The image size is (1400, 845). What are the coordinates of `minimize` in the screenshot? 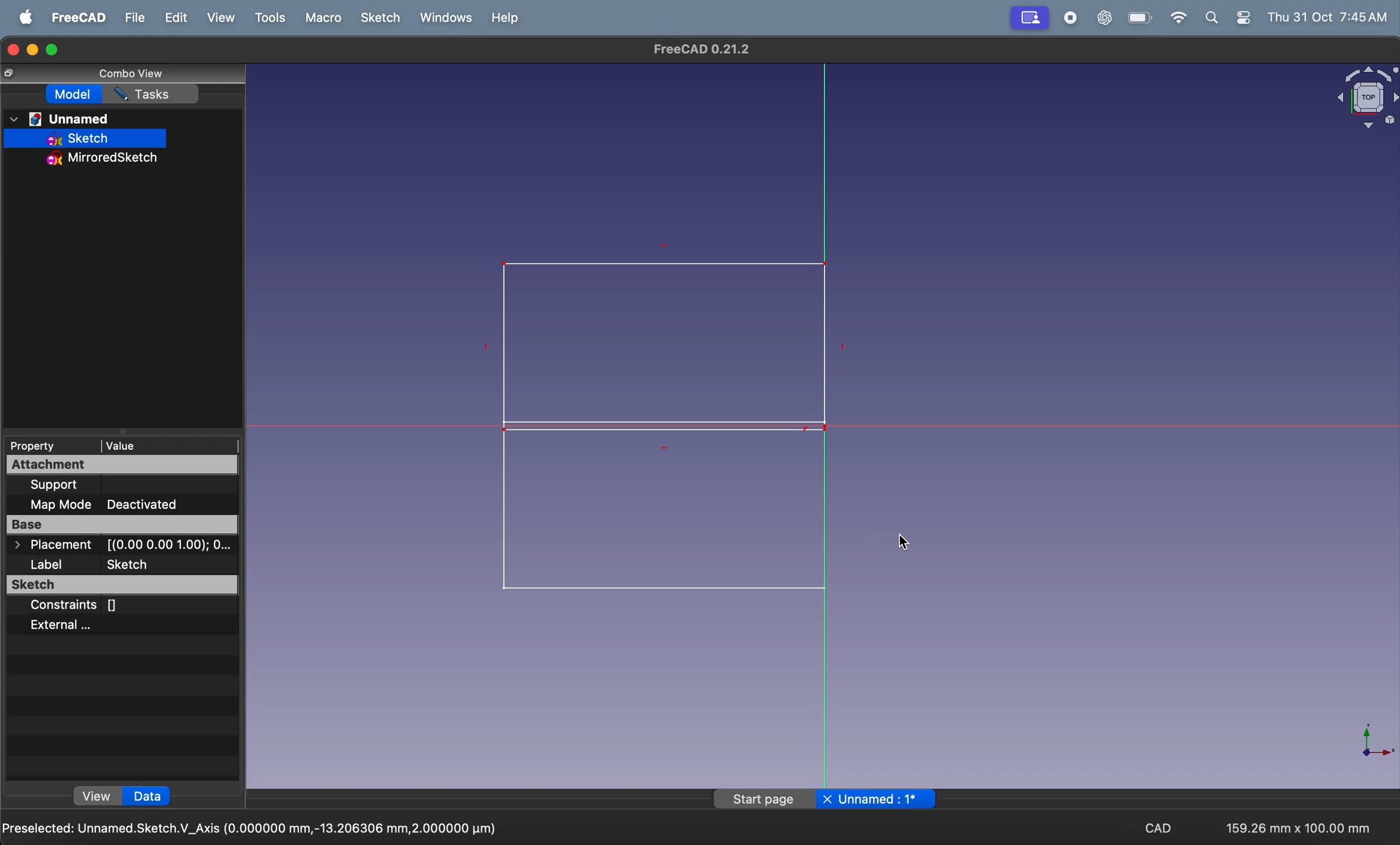 It's located at (34, 48).